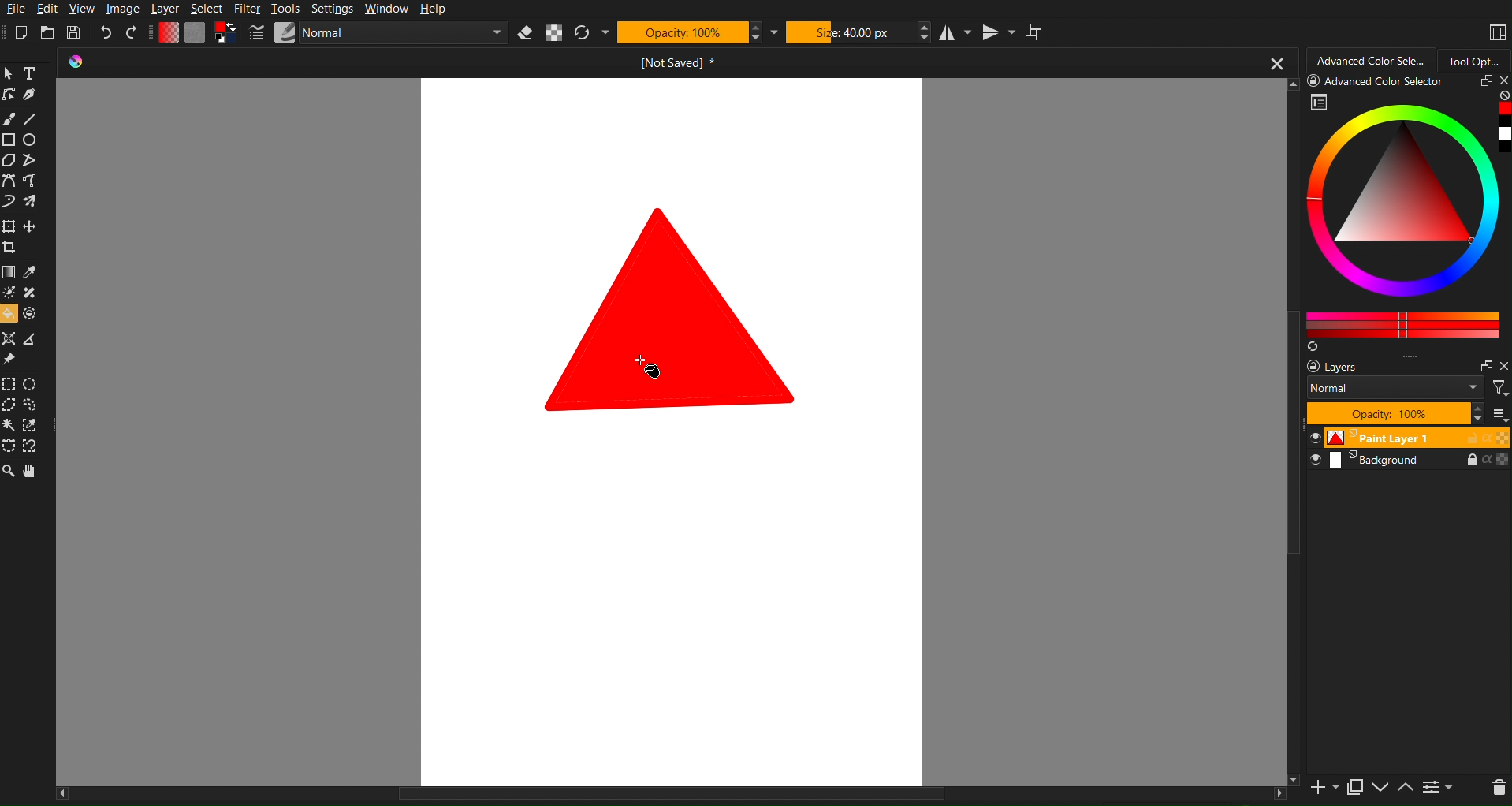 The image size is (1512, 806). Describe the element at coordinates (653, 374) in the screenshot. I see `mouse pointer` at that location.